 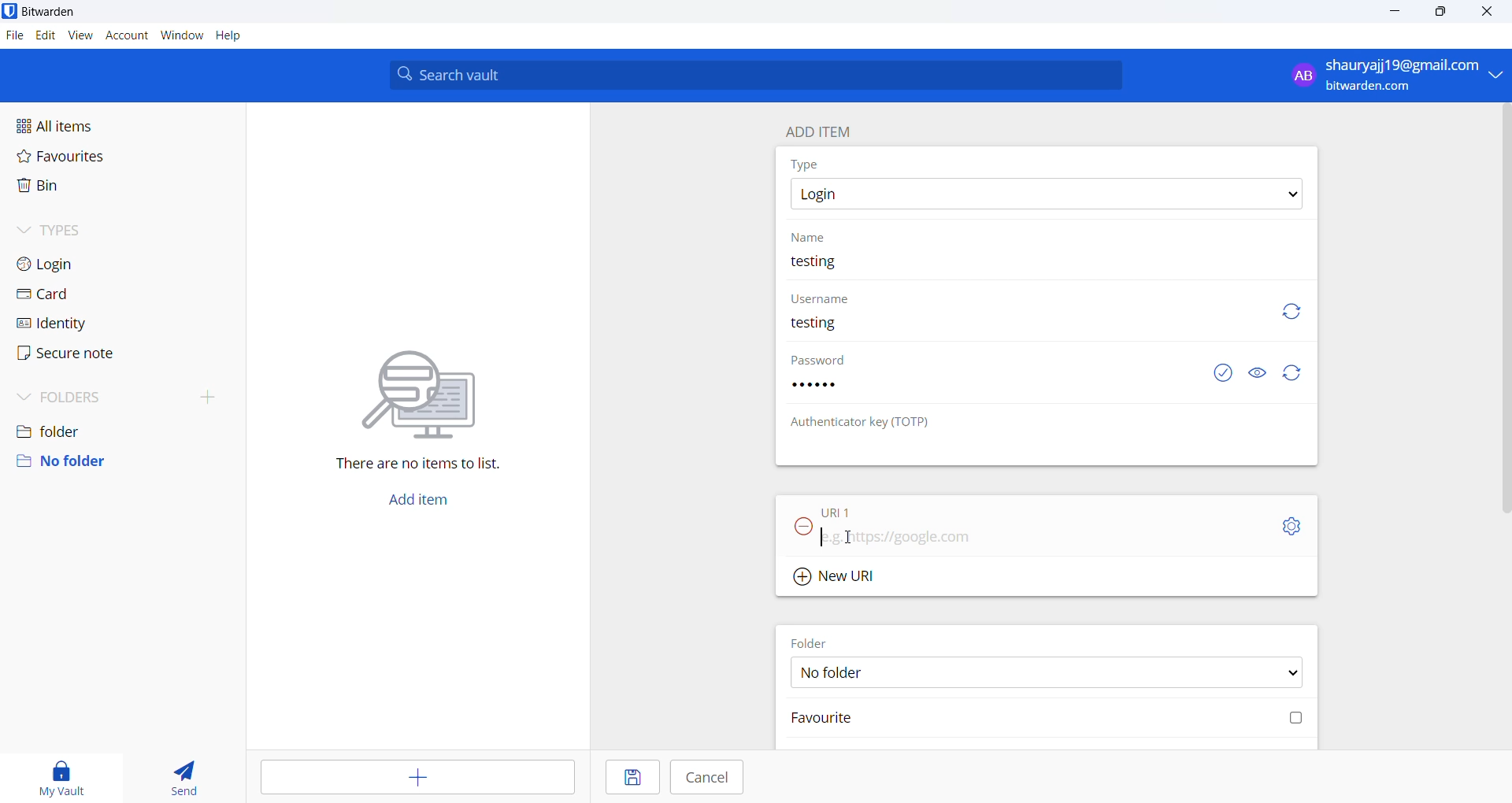 What do you see at coordinates (1014, 327) in the screenshot?
I see `username input box. user name added "testing"` at bounding box center [1014, 327].